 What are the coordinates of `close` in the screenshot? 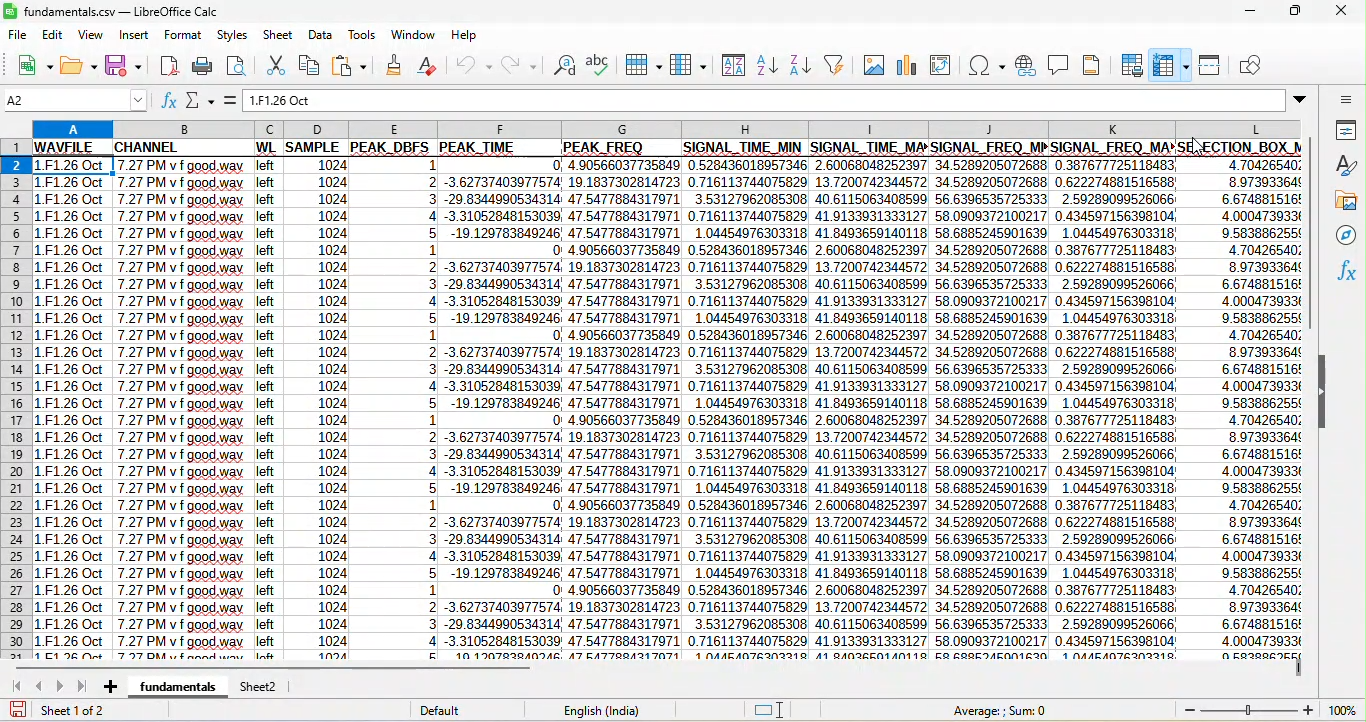 It's located at (1343, 11).